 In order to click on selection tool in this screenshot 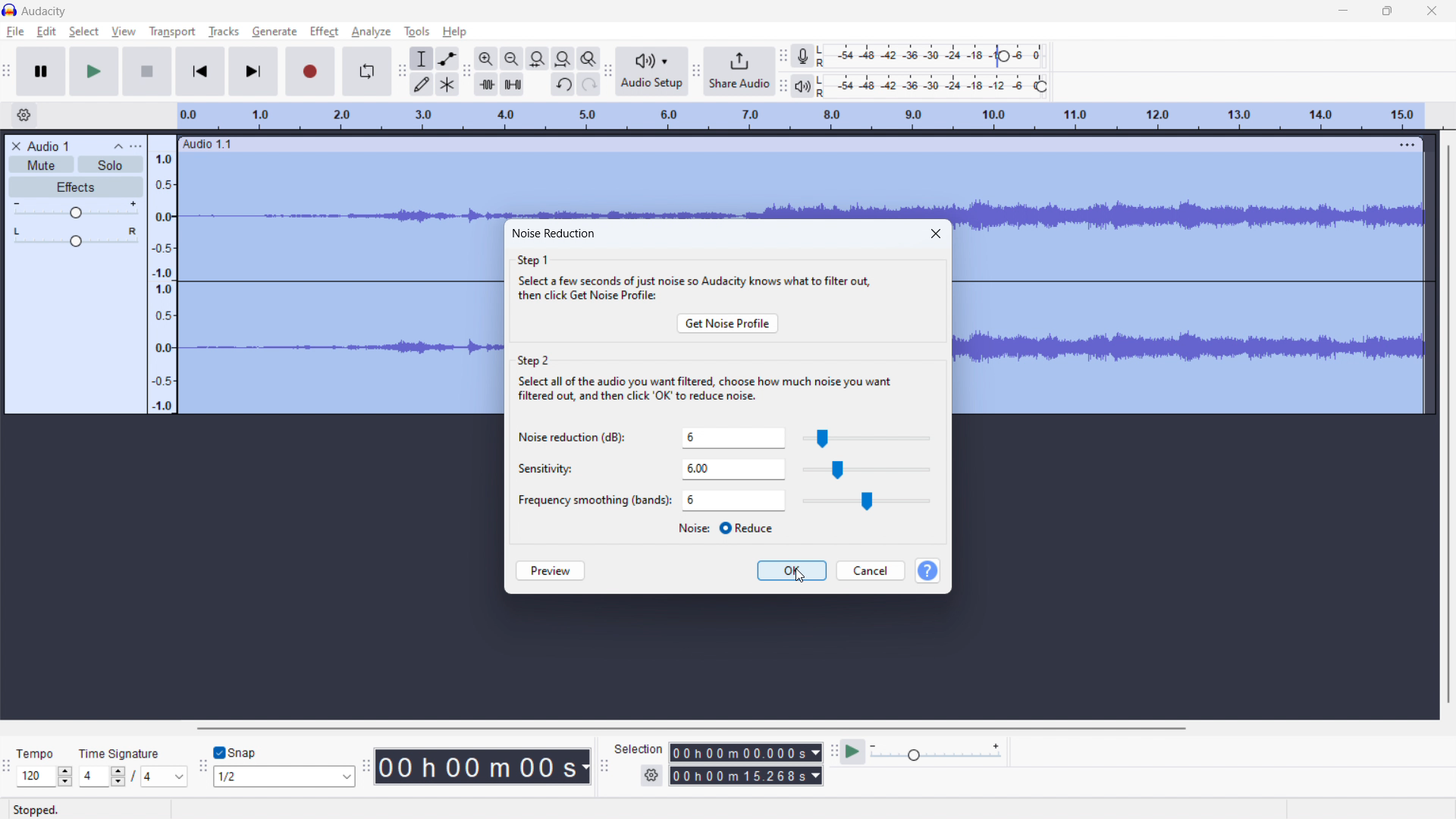, I will do `click(422, 58)`.